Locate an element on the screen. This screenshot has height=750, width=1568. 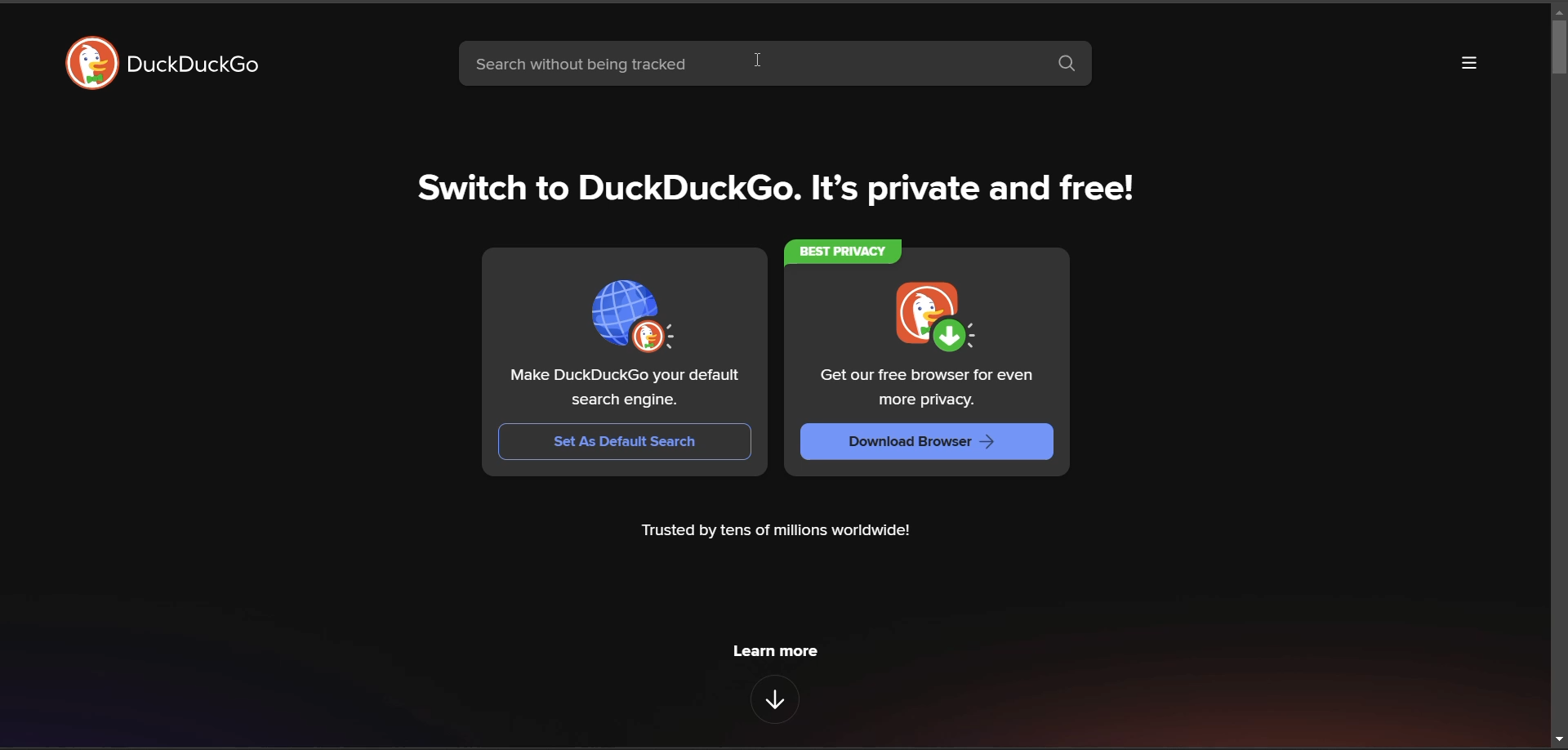
Trusted by tens of millions worldwide! is located at coordinates (777, 533).